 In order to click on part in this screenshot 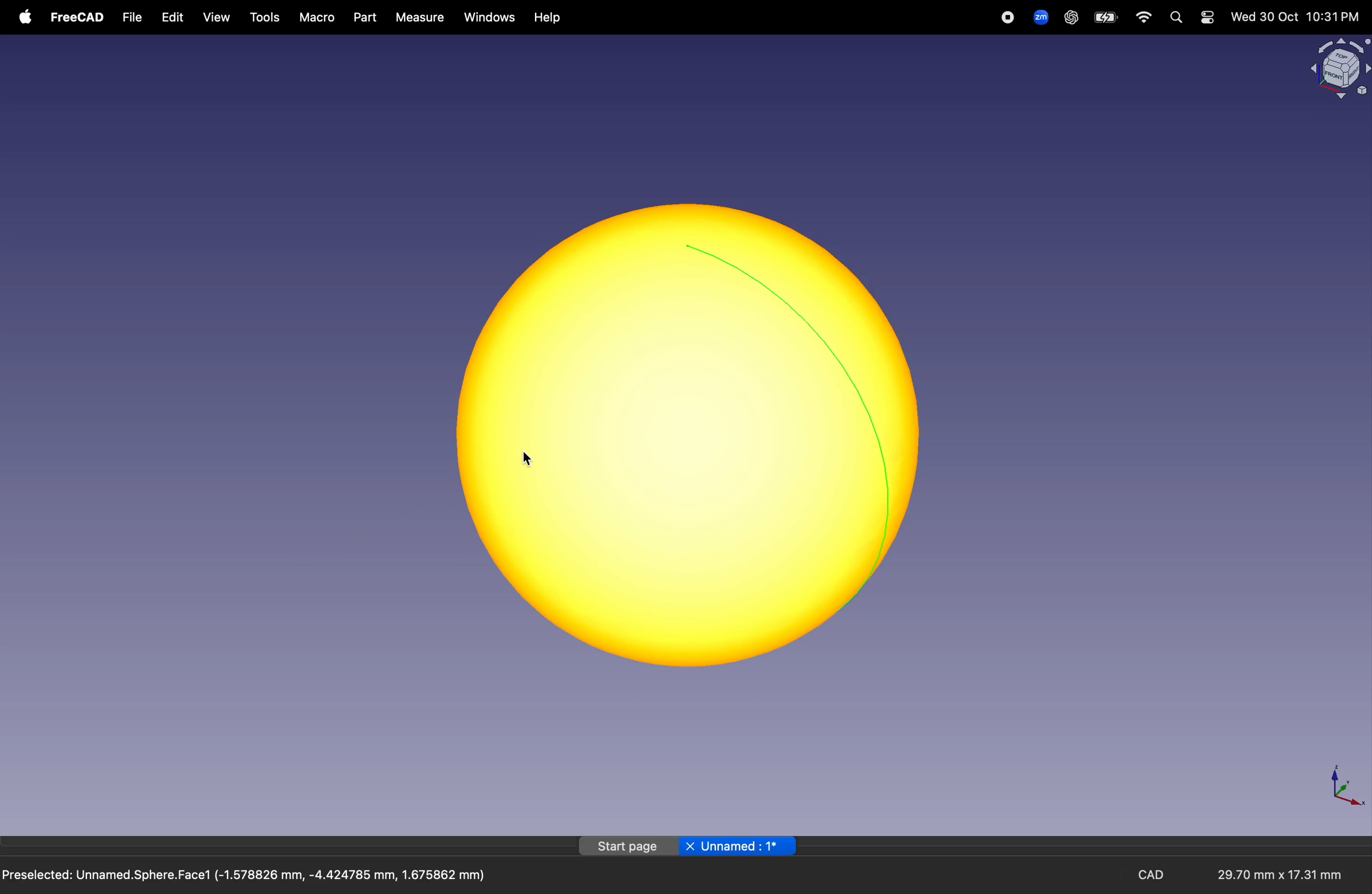, I will do `click(364, 17)`.